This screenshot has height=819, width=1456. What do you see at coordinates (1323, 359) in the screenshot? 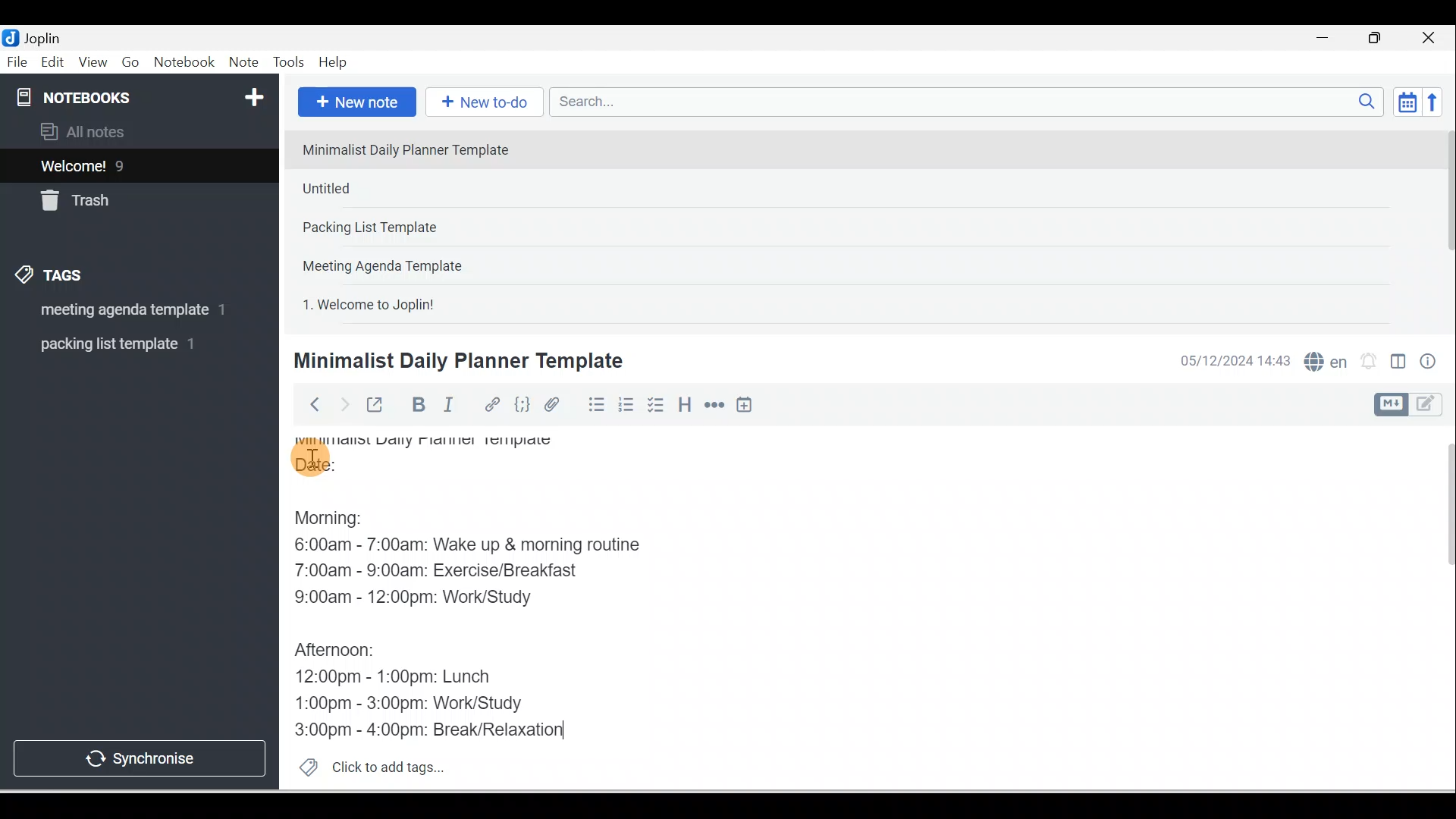
I see `Spelling` at bounding box center [1323, 359].